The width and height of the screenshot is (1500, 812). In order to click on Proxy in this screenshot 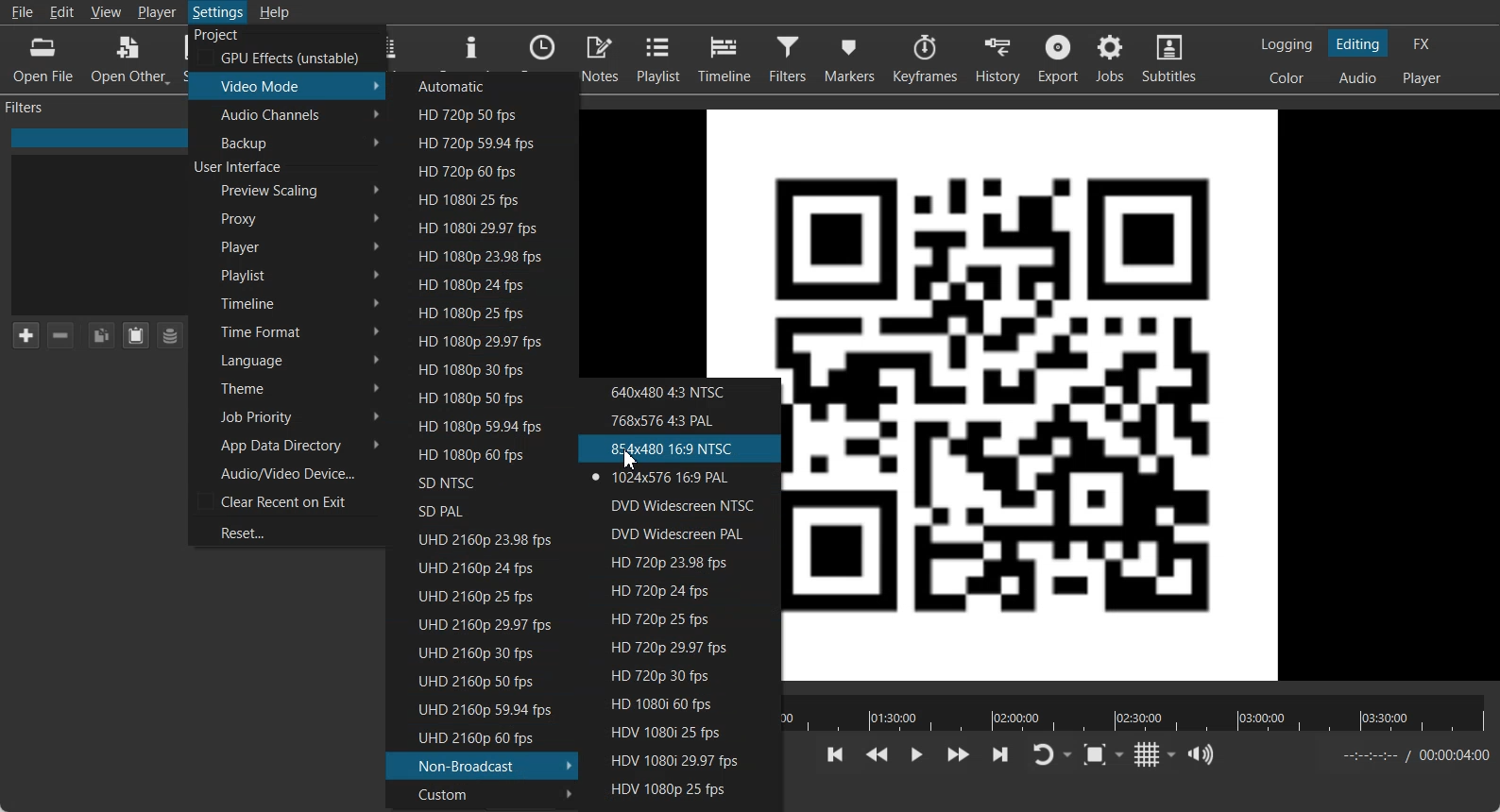, I will do `click(288, 218)`.